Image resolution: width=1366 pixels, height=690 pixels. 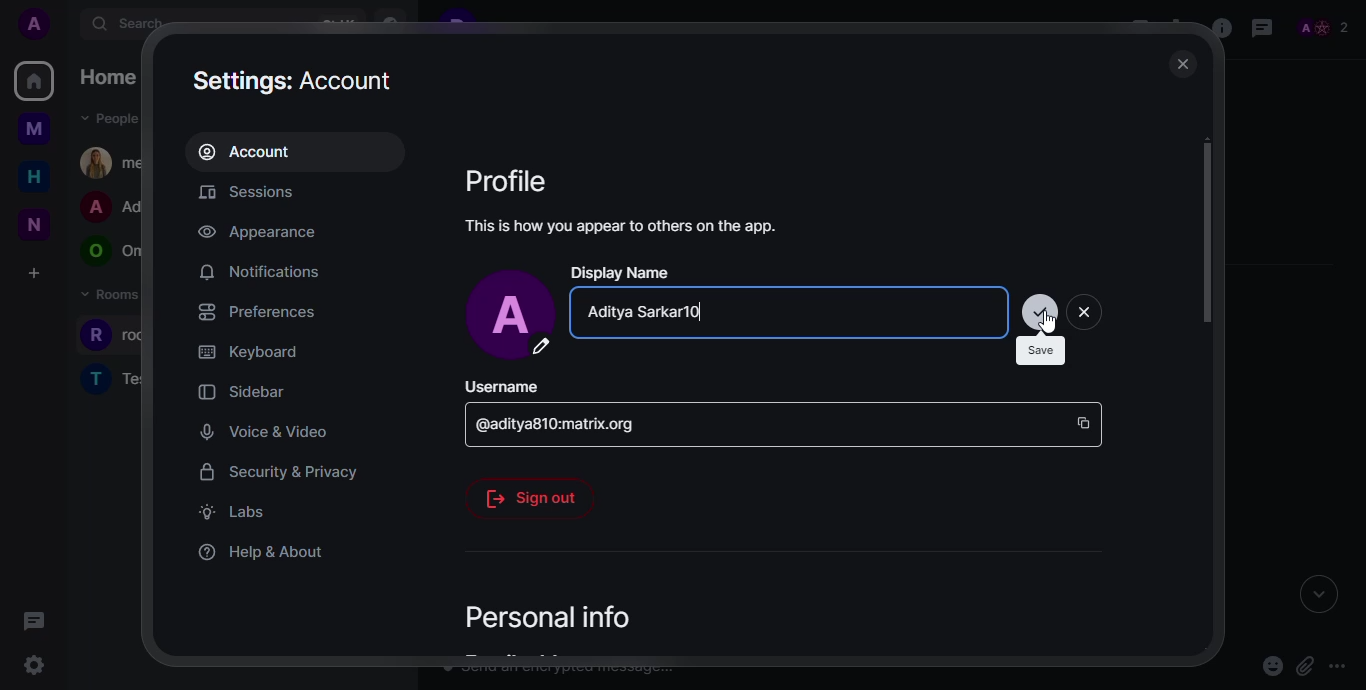 What do you see at coordinates (262, 551) in the screenshot?
I see `help ` at bounding box center [262, 551].